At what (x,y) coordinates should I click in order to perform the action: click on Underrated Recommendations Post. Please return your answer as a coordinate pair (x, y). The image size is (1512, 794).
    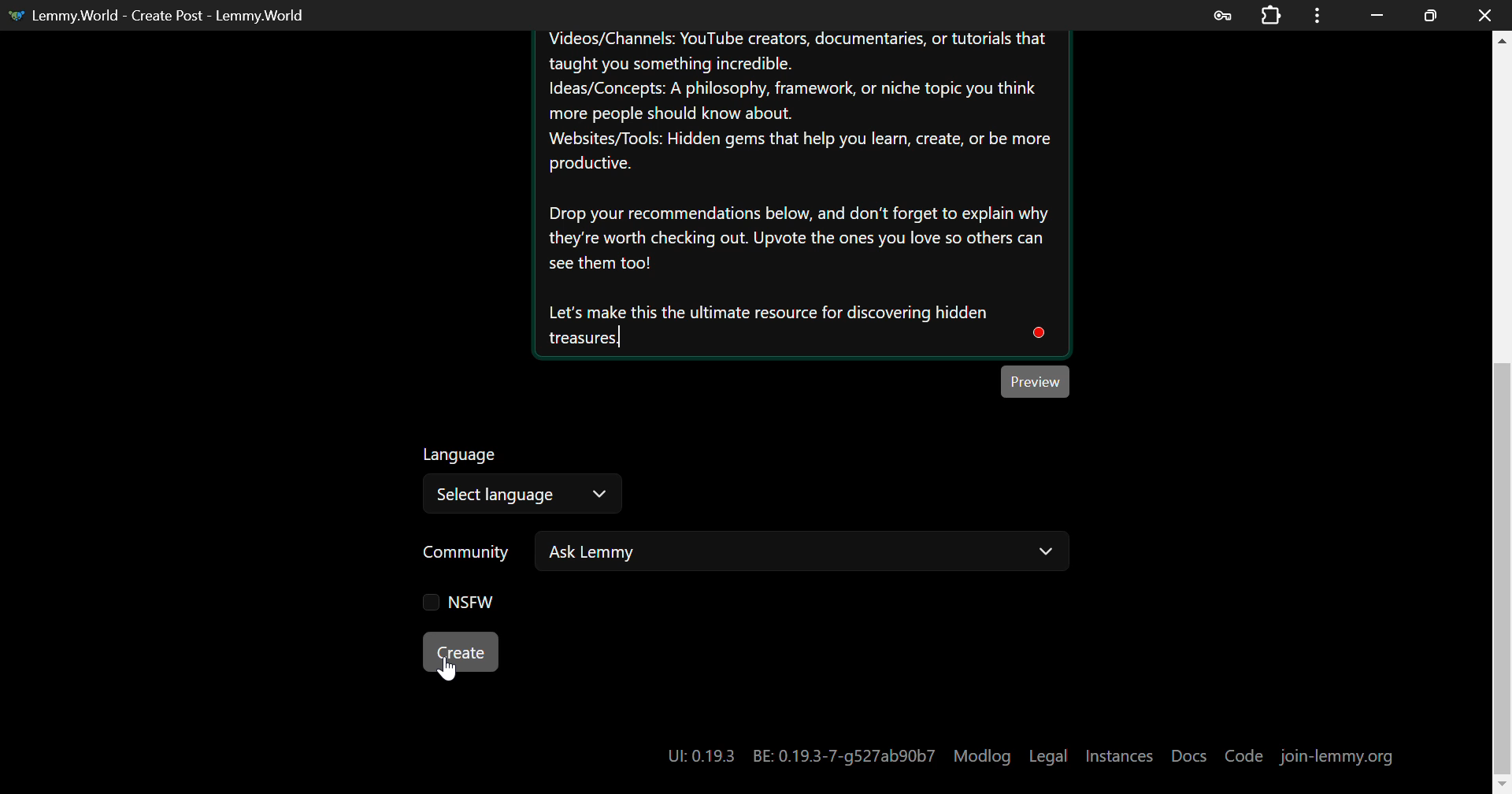
    Looking at the image, I should click on (799, 194).